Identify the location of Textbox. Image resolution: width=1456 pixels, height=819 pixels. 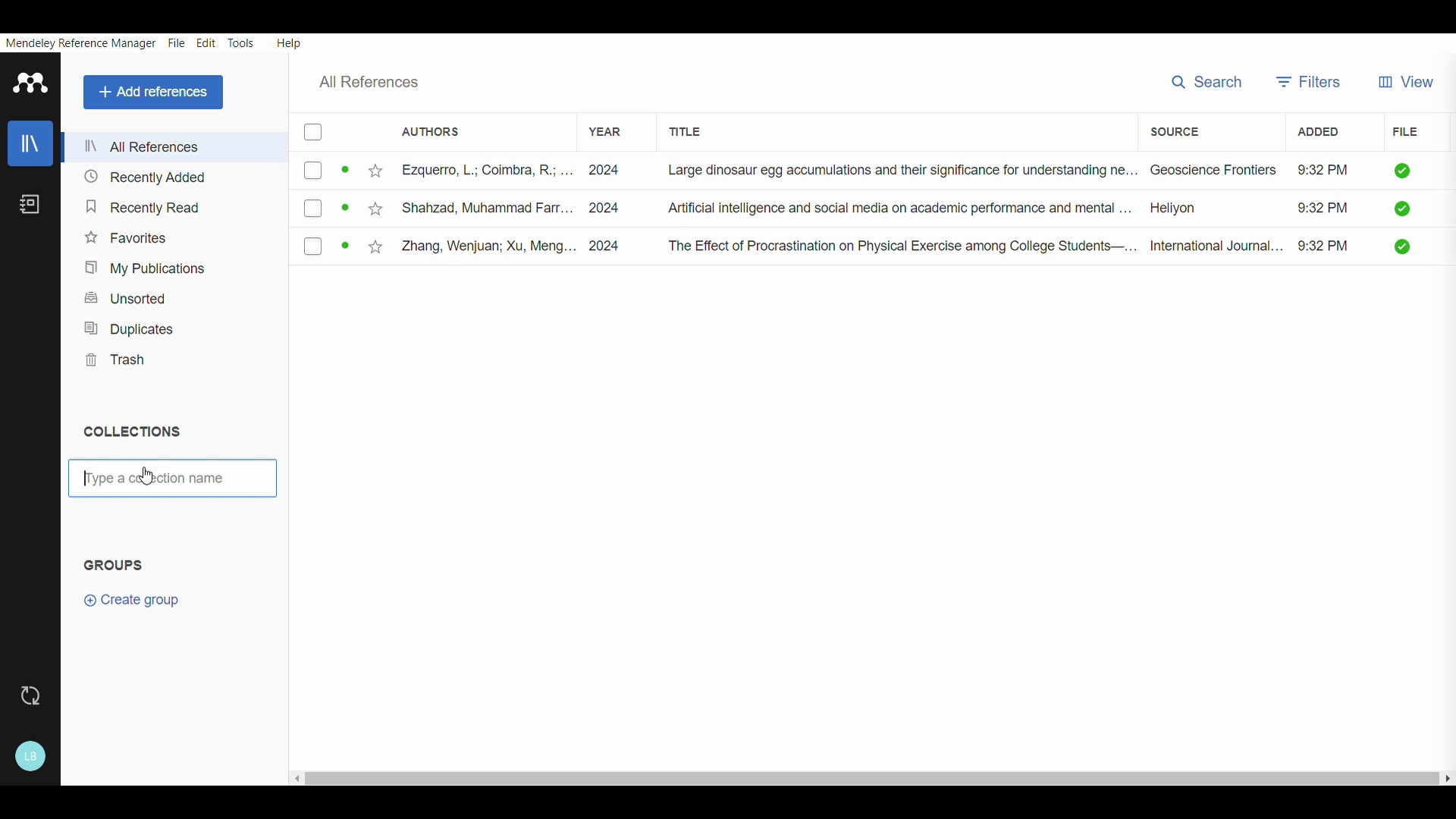
(171, 480).